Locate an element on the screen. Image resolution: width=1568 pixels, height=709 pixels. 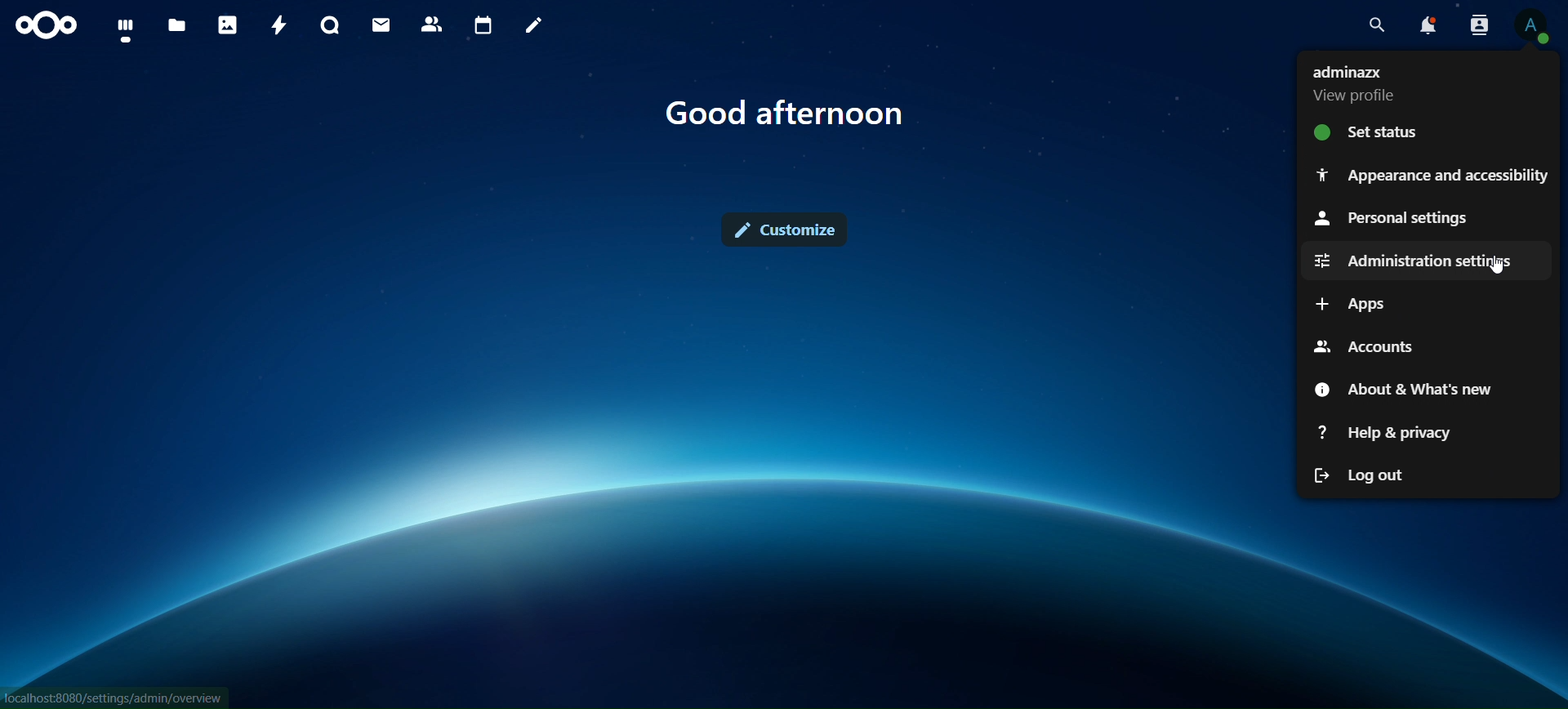
customize is located at coordinates (786, 230).